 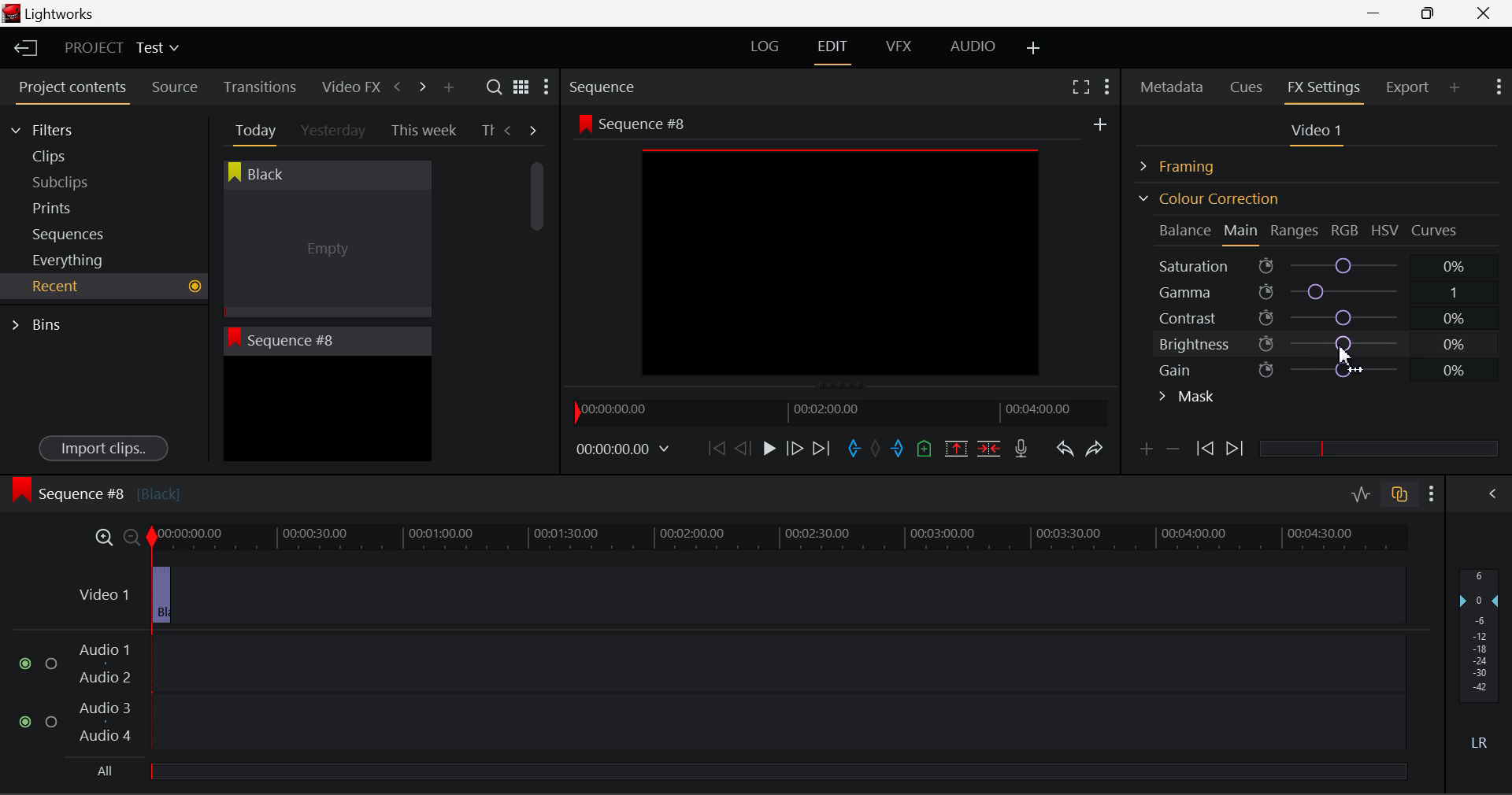 What do you see at coordinates (1320, 292) in the screenshot?
I see `Gamma` at bounding box center [1320, 292].